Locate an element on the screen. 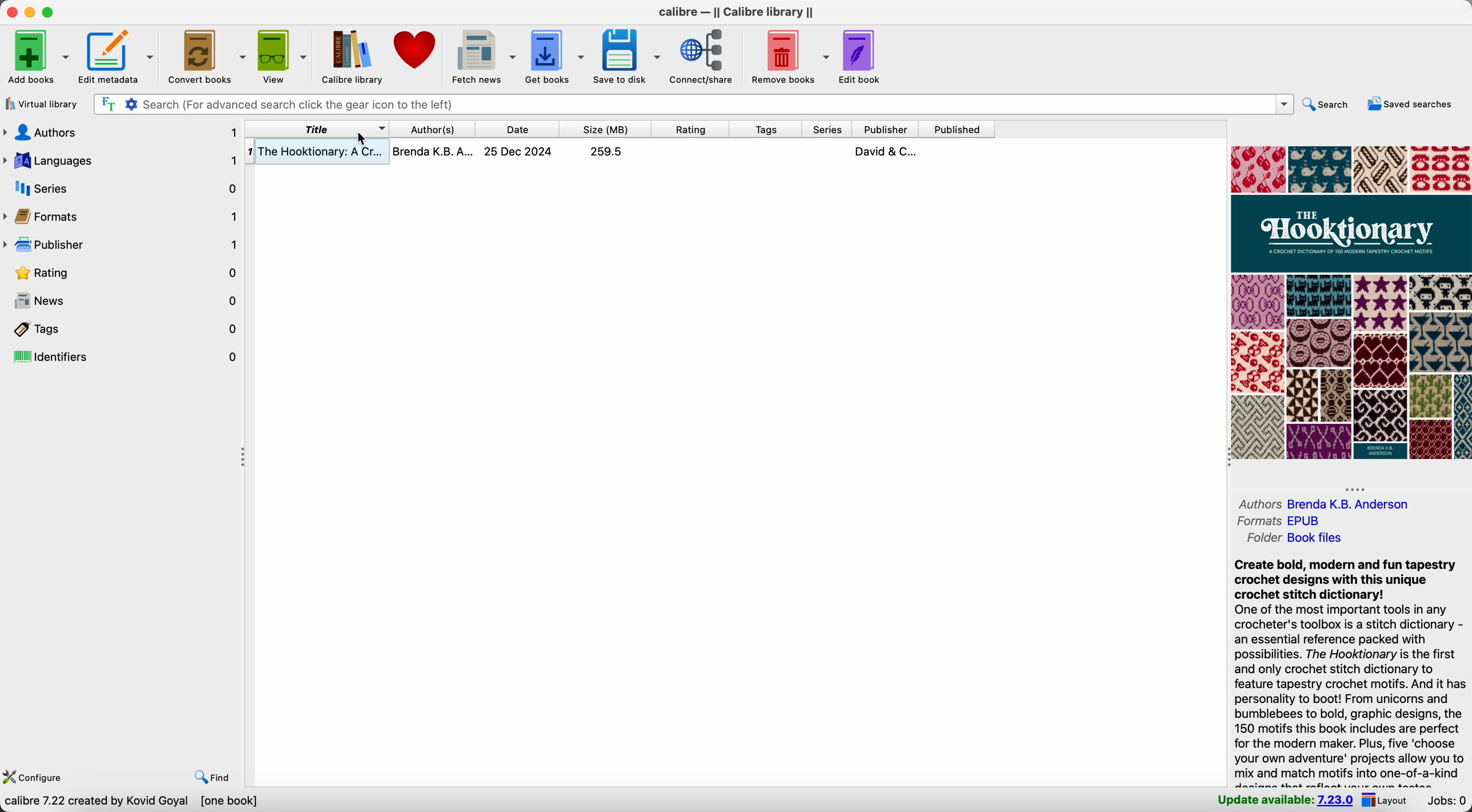 The height and width of the screenshot is (812, 1472). saved searches is located at coordinates (1413, 105).